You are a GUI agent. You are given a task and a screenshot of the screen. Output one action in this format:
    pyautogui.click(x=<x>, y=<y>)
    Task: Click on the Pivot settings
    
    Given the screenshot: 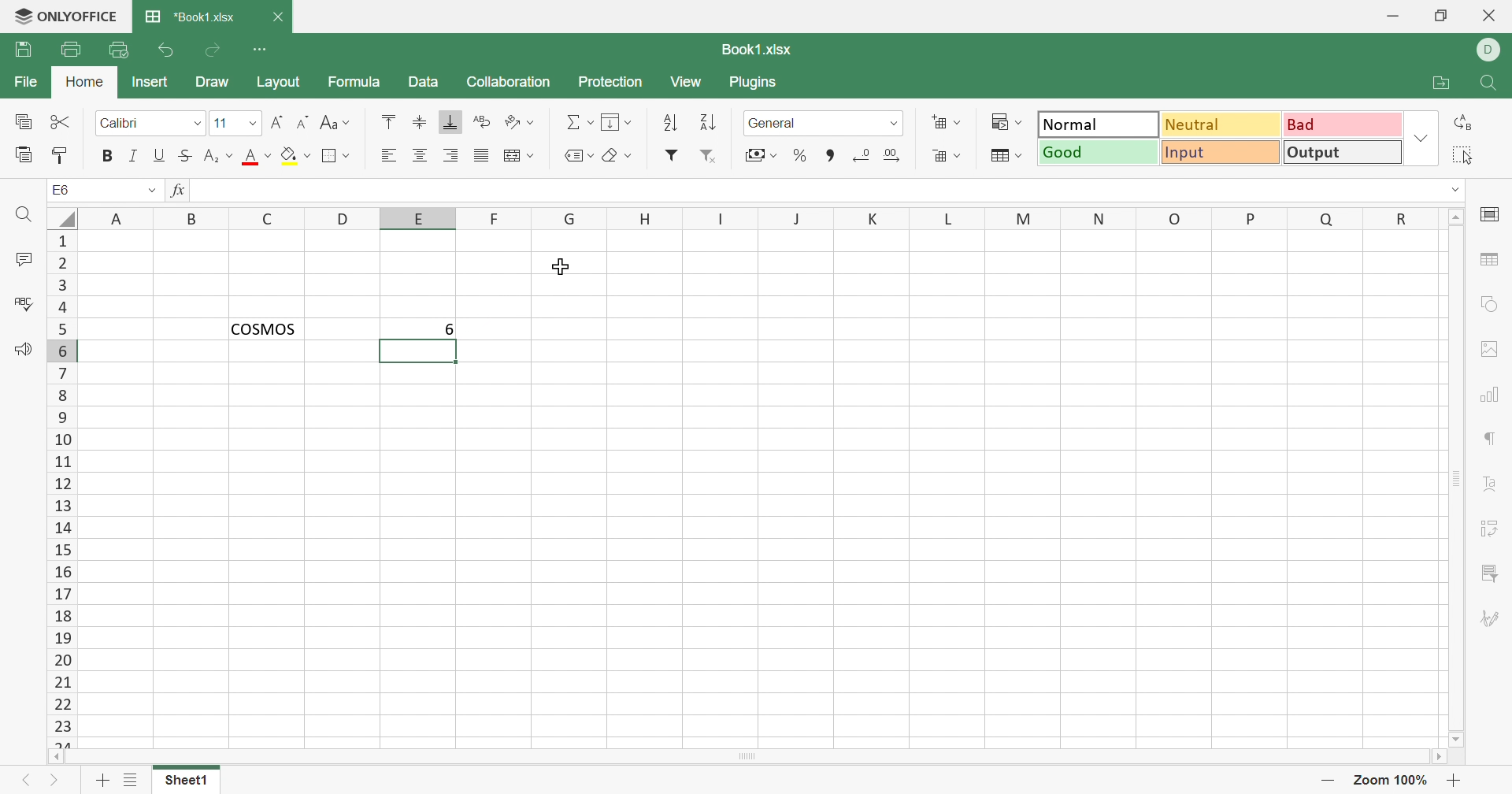 What is the action you would take?
    pyautogui.click(x=1492, y=531)
    